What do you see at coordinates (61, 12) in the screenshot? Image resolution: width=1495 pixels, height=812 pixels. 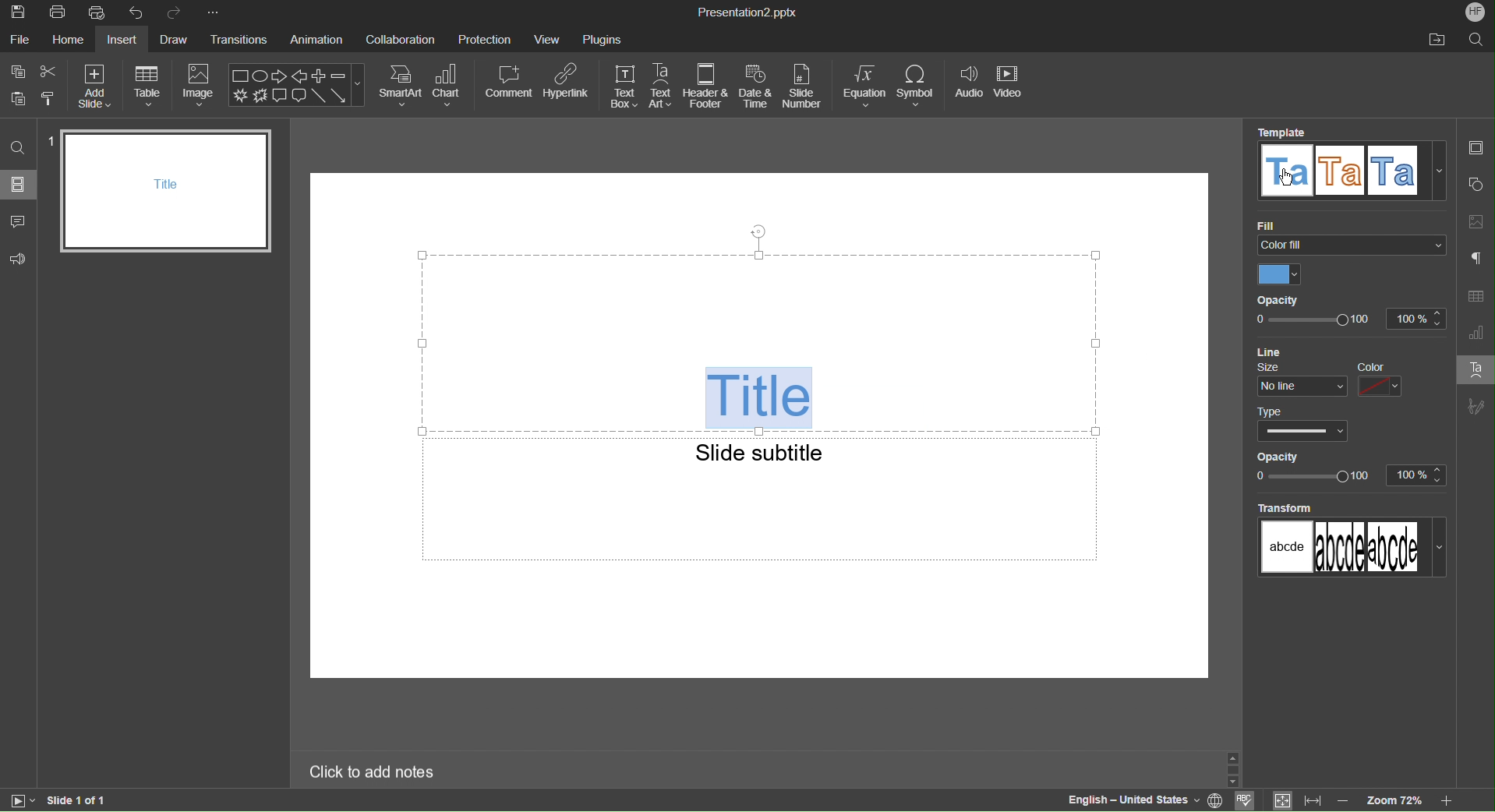 I see `Print` at bounding box center [61, 12].